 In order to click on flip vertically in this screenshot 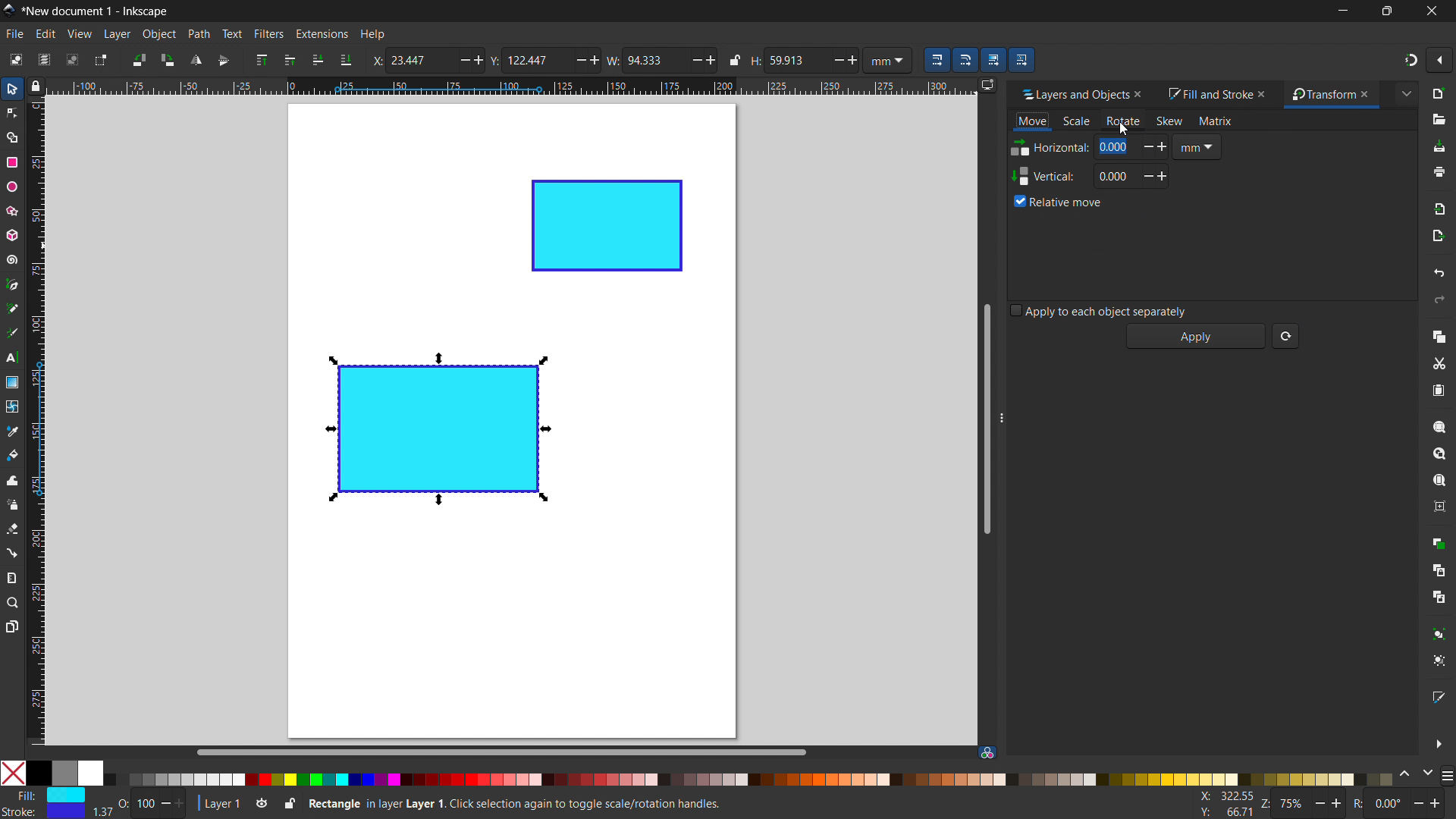, I will do `click(224, 61)`.